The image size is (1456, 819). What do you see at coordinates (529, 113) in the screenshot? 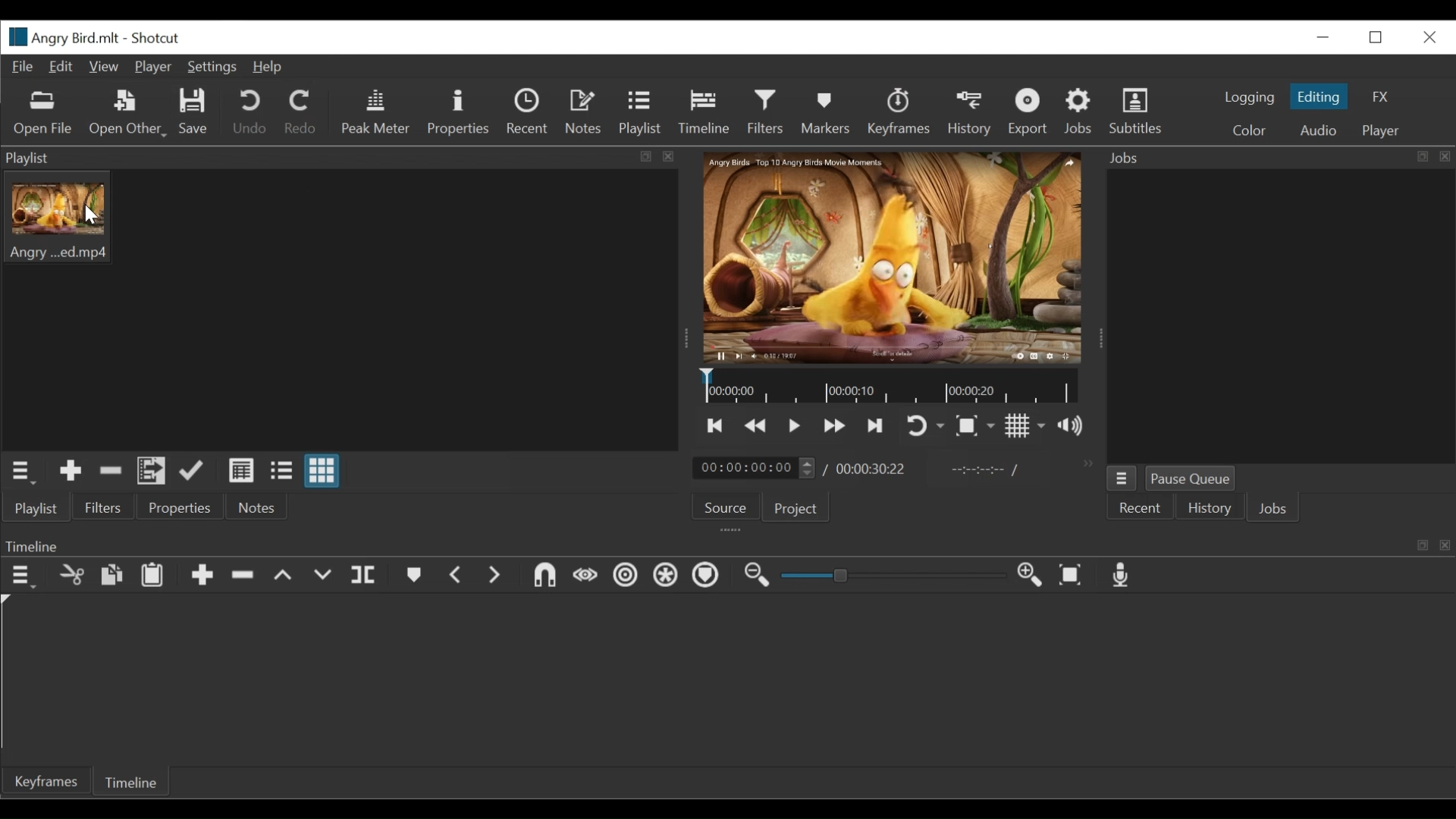
I see `Recent` at bounding box center [529, 113].